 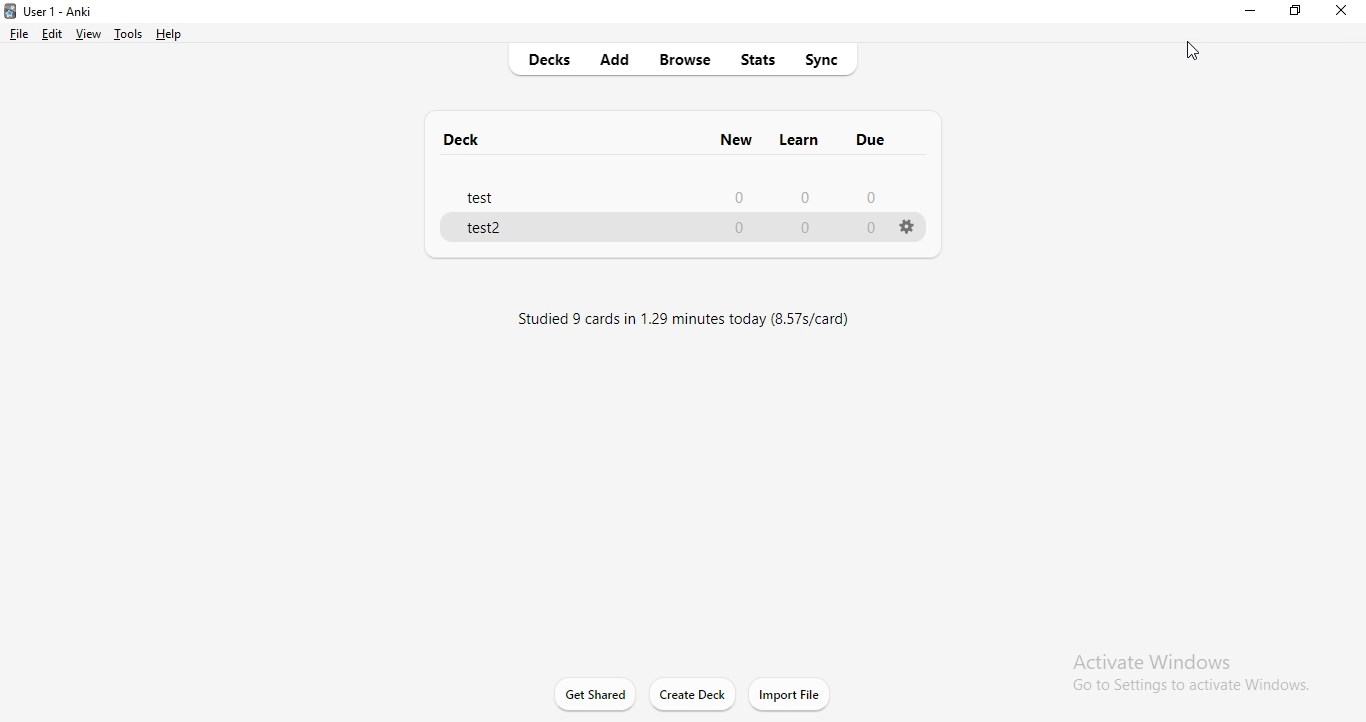 What do you see at coordinates (798, 695) in the screenshot?
I see `import file` at bounding box center [798, 695].